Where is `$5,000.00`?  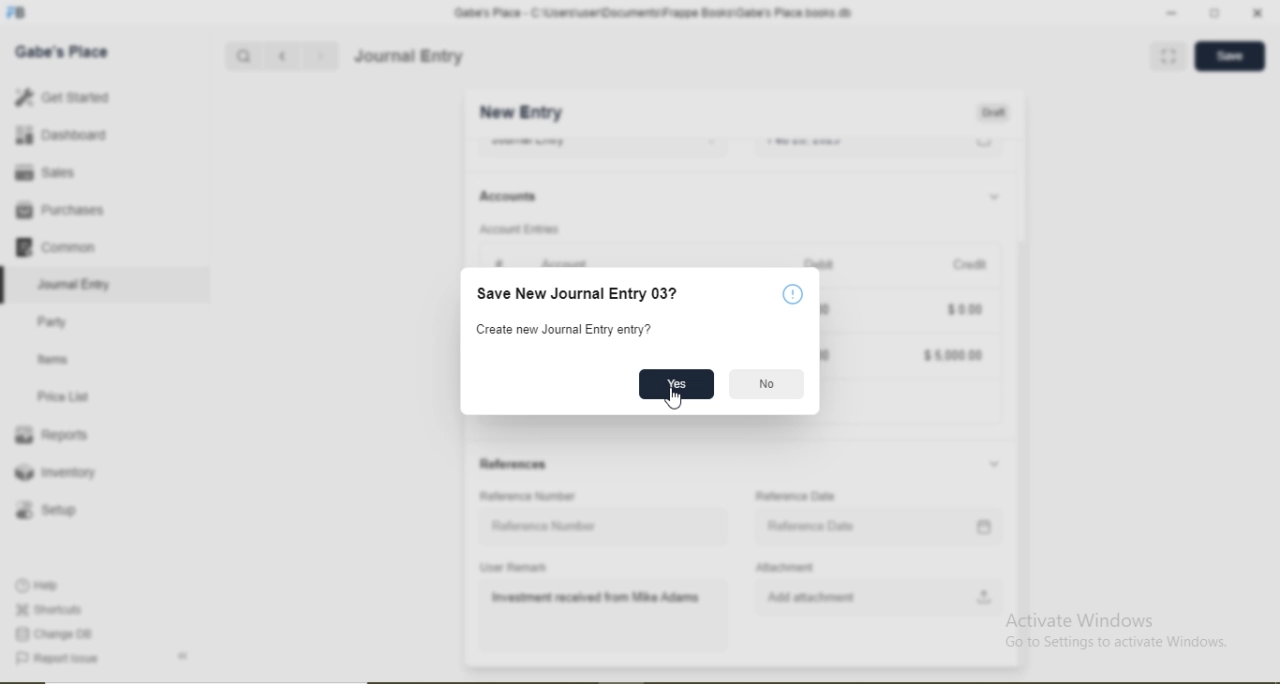
$5,000.00 is located at coordinates (952, 356).